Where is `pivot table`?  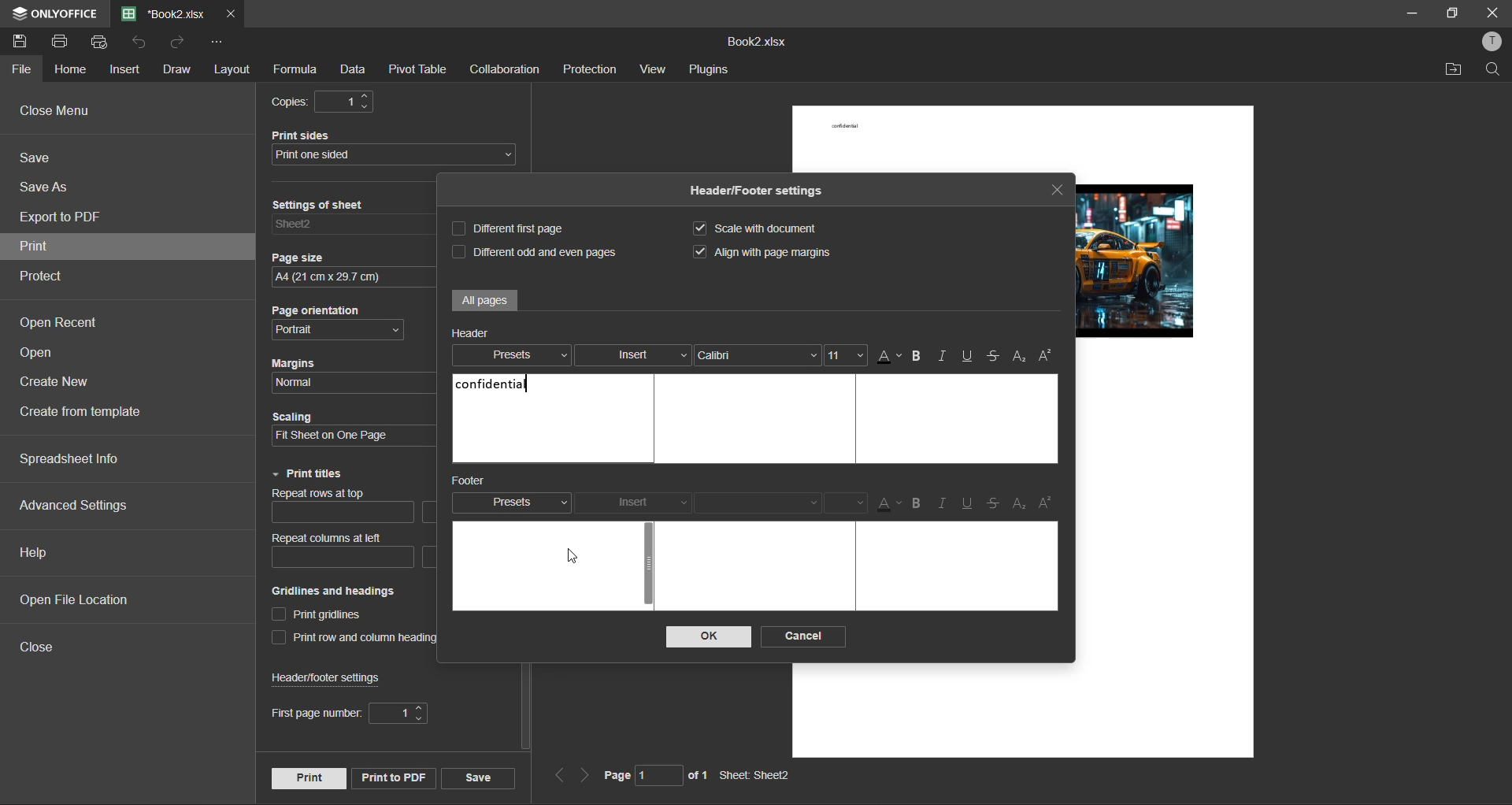
pivot table is located at coordinates (417, 70).